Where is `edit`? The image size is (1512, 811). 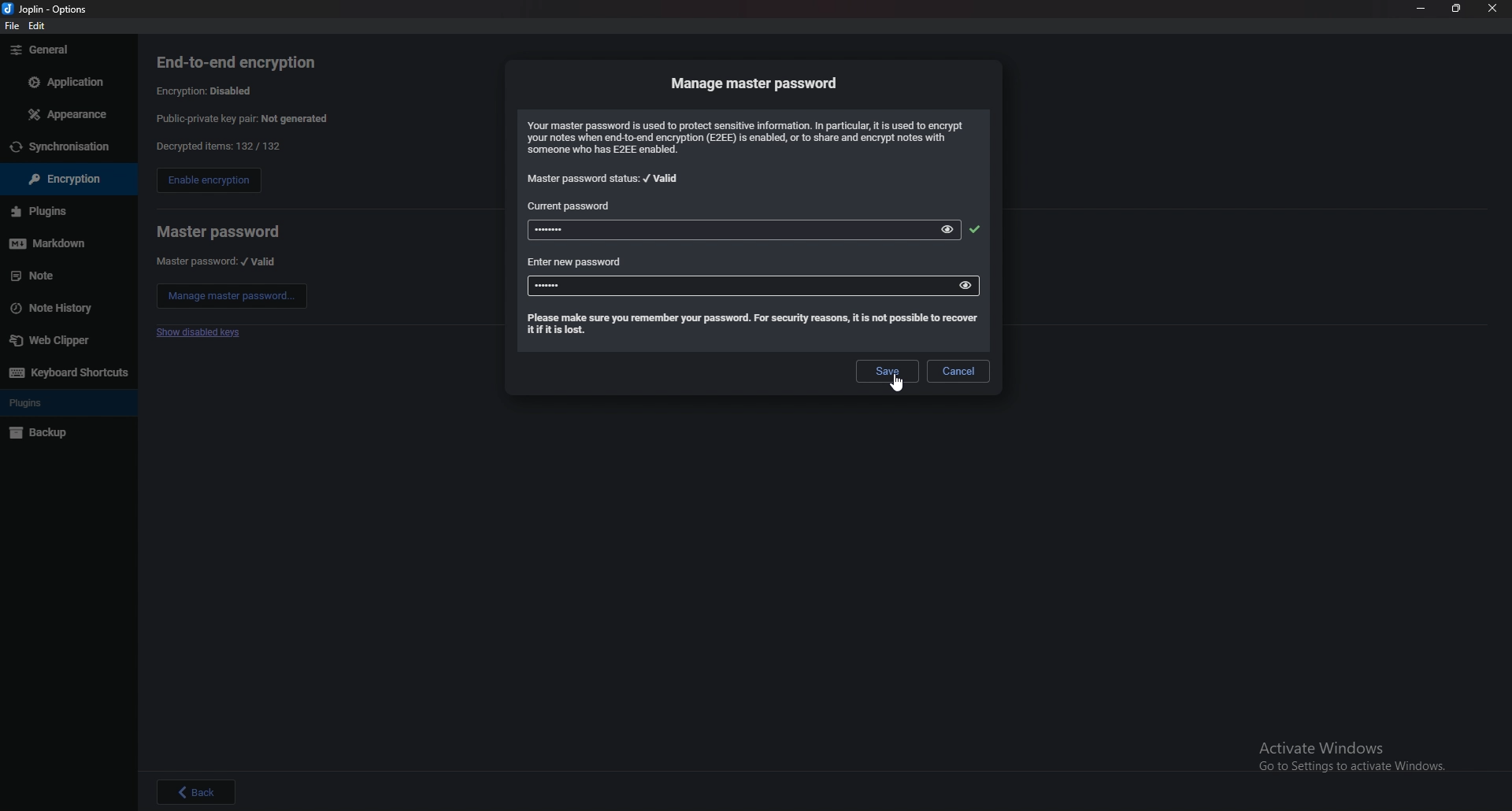 edit is located at coordinates (40, 25).